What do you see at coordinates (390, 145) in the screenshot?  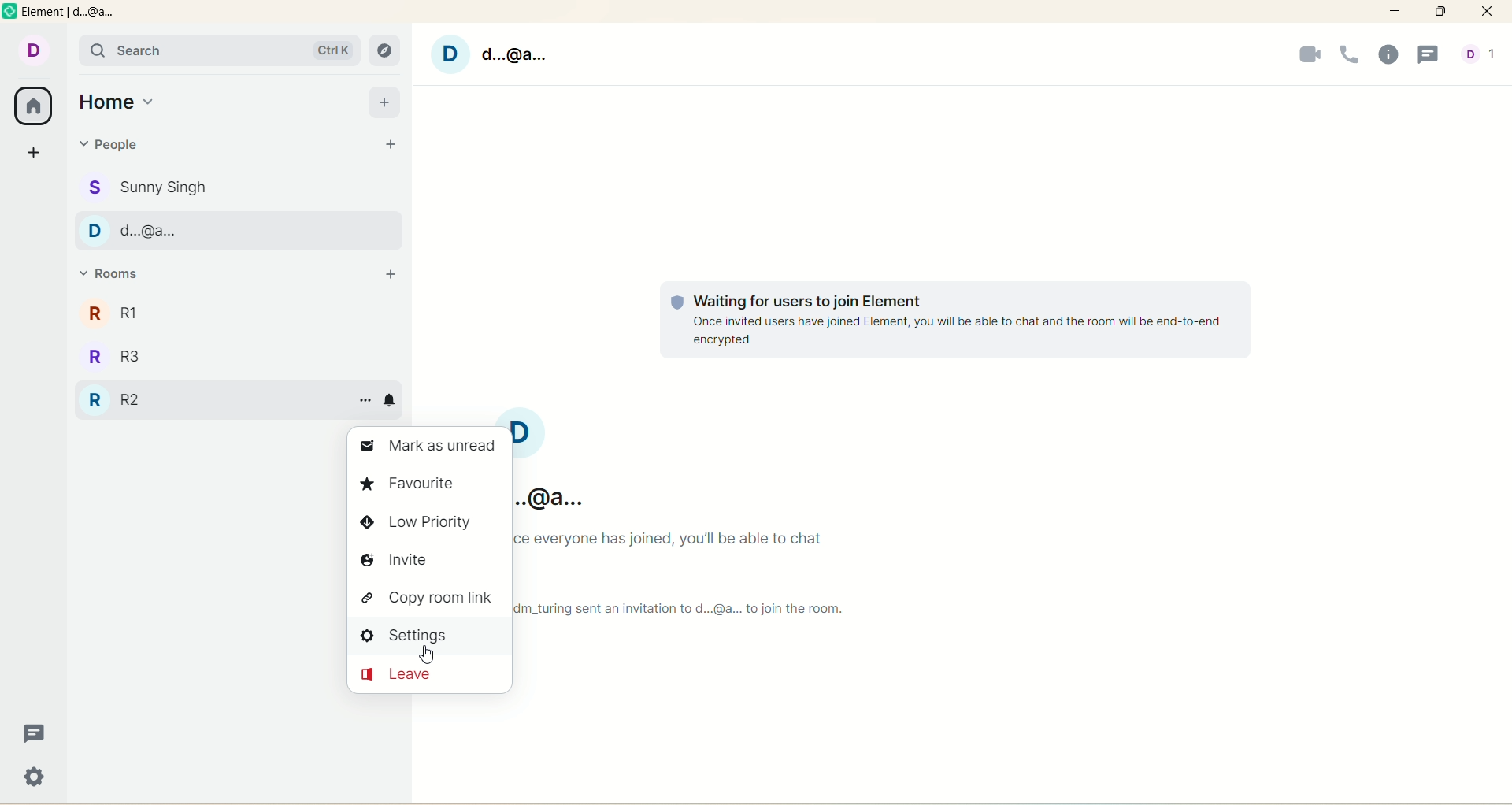 I see `start chat` at bounding box center [390, 145].